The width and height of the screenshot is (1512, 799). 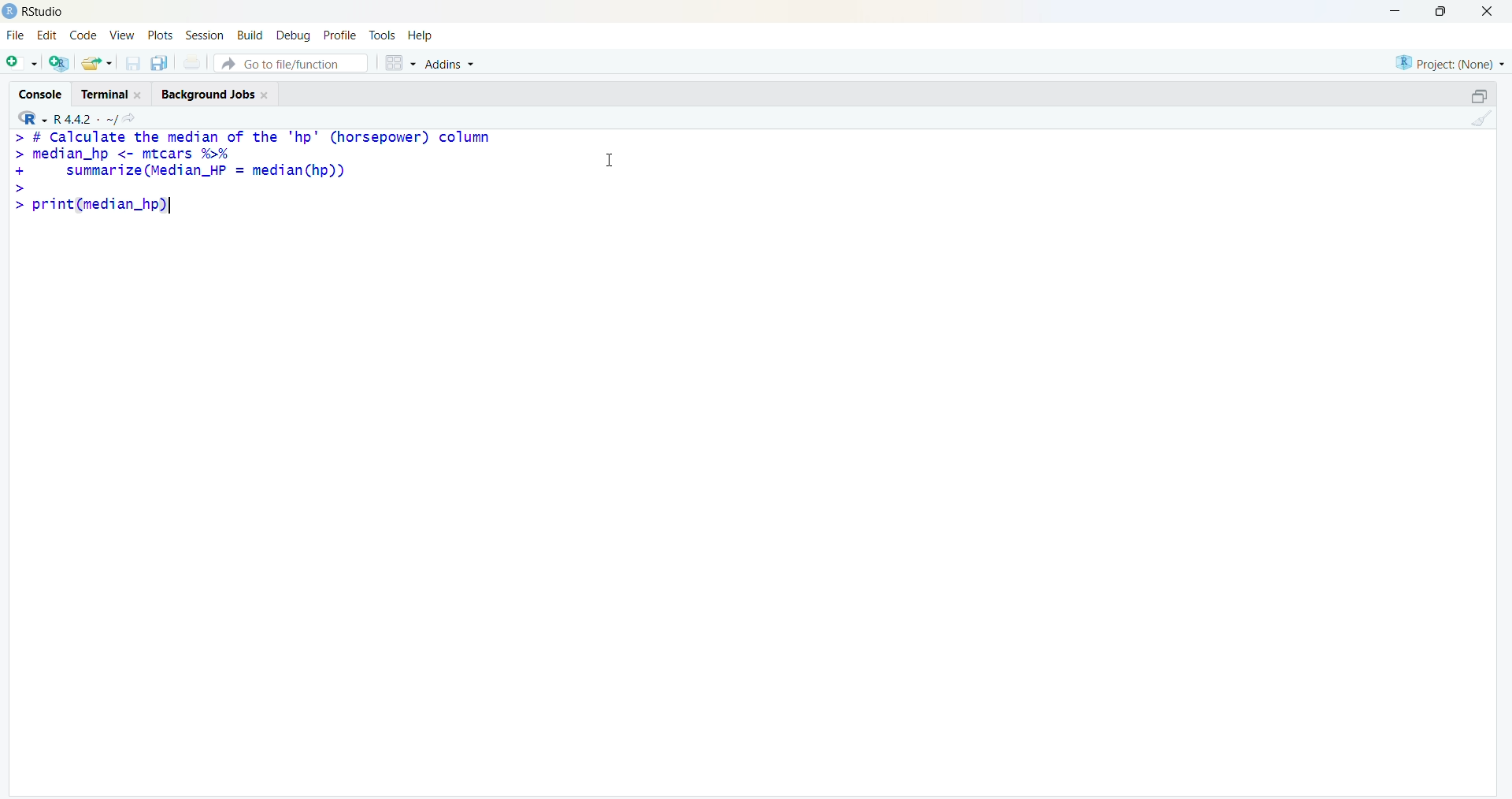 What do you see at coordinates (1450, 63) in the screenshot?
I see `Project: (None)` at bounding box center [1450, 63].